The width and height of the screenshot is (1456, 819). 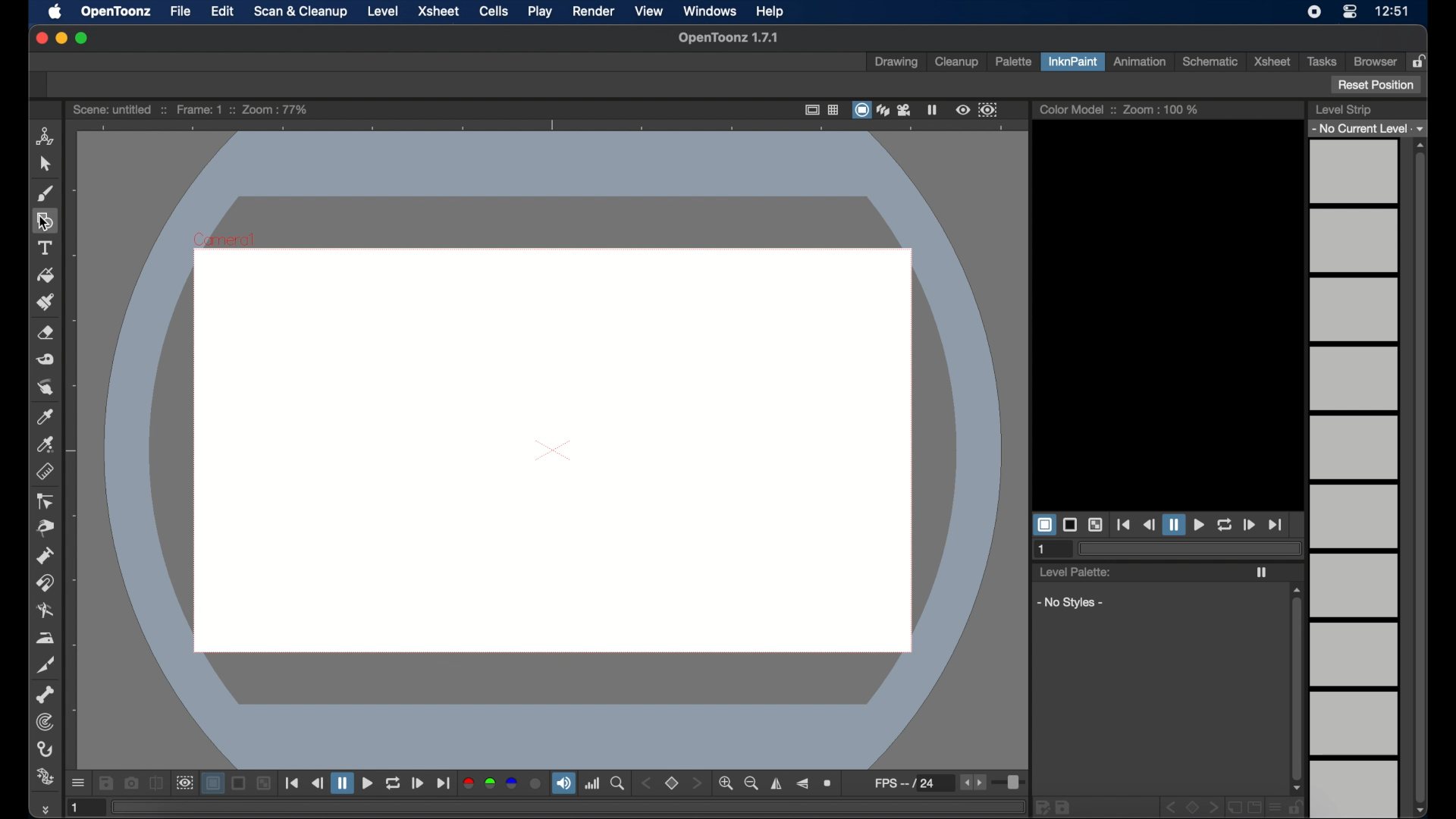 I want to click on safe area, so click(x=810, y=109).